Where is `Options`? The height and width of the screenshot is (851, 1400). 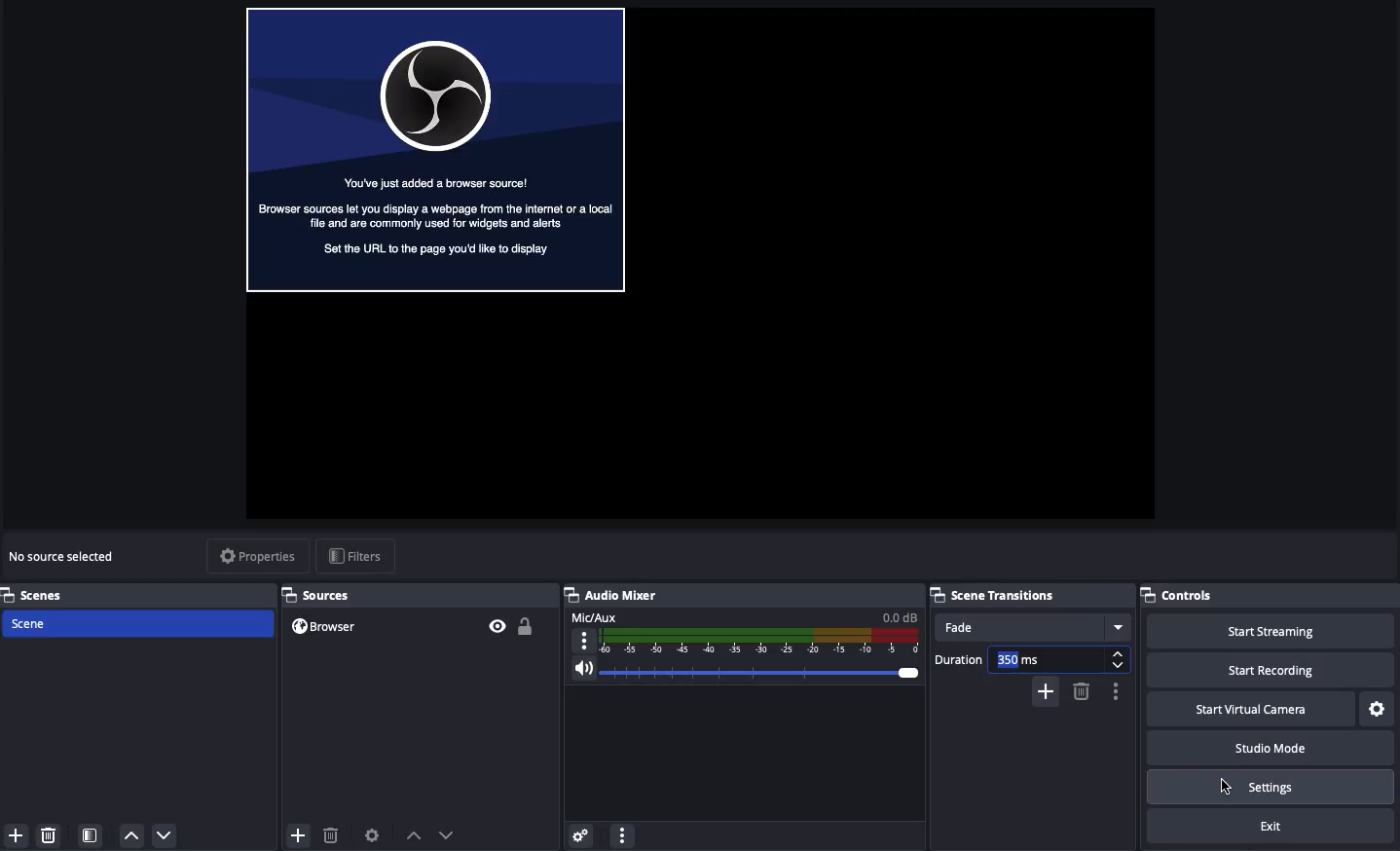 Options is located at coordinates (1117, 693).